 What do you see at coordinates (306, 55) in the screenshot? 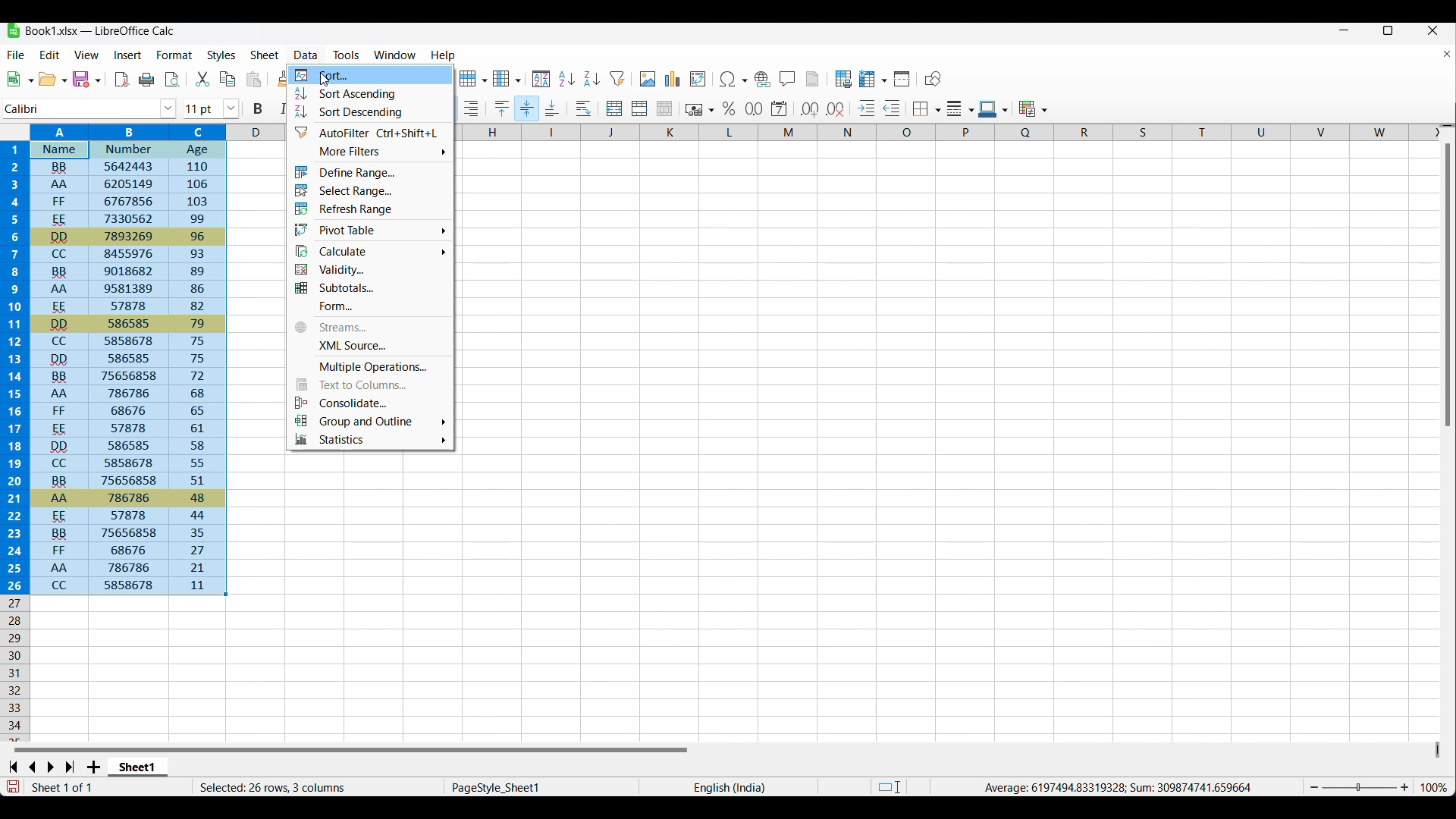
I see `Data menu` at bounding box center [306, 55].